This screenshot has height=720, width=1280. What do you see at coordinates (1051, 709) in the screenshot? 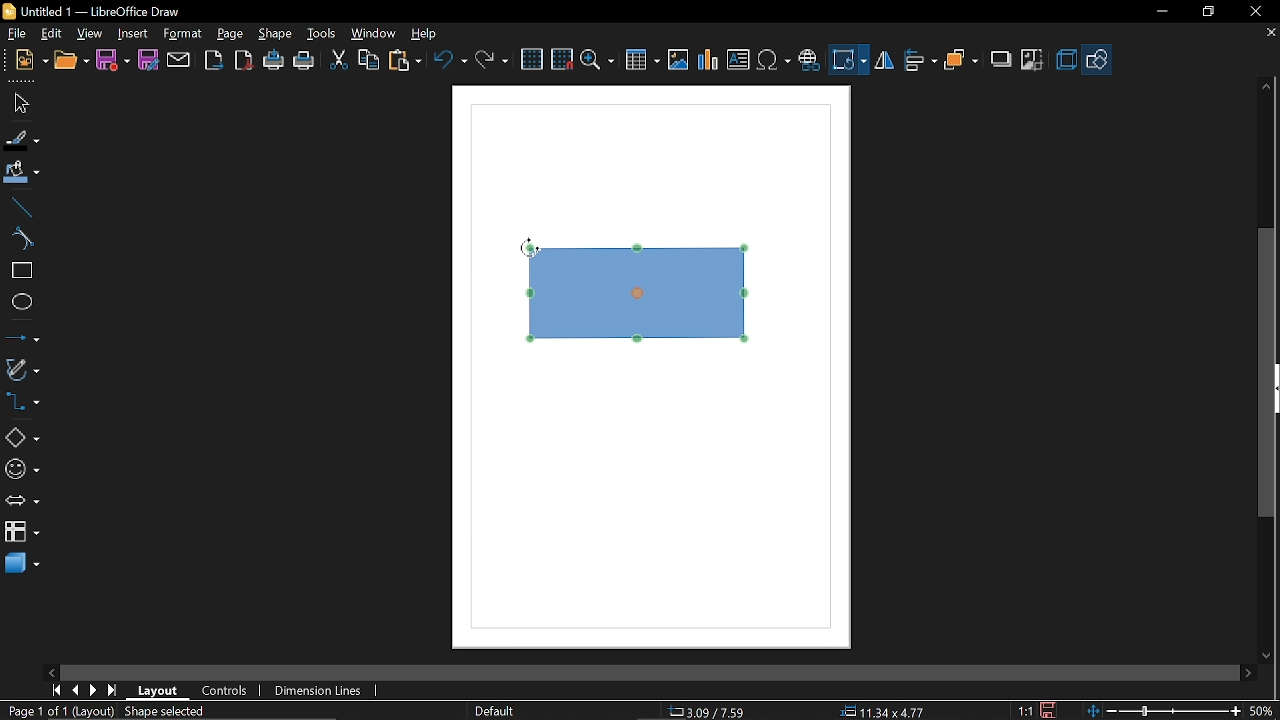
I see `save` at bounding box center [1051, 709].